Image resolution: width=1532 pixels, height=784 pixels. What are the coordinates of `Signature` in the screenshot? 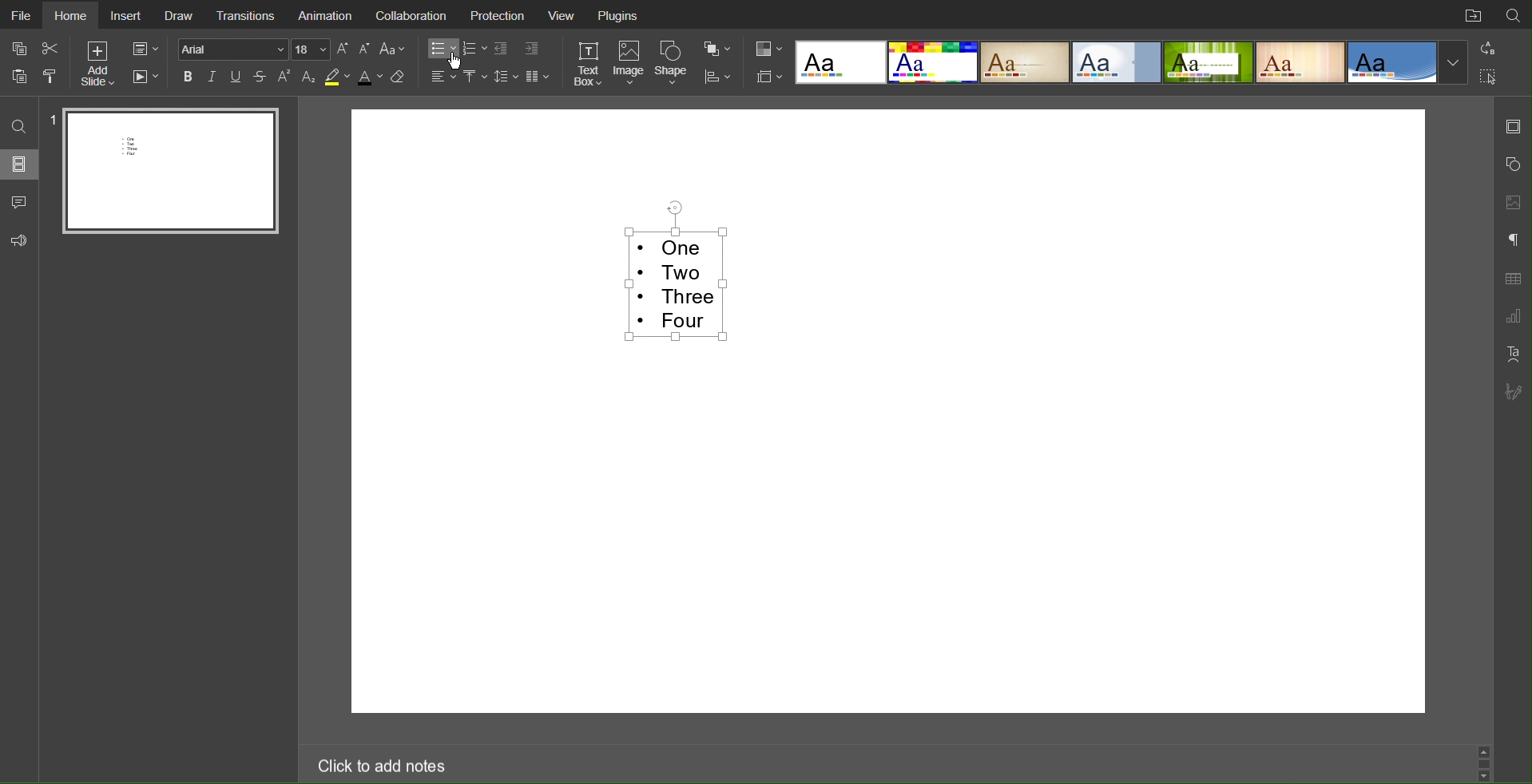 It's located at (1512, 389).